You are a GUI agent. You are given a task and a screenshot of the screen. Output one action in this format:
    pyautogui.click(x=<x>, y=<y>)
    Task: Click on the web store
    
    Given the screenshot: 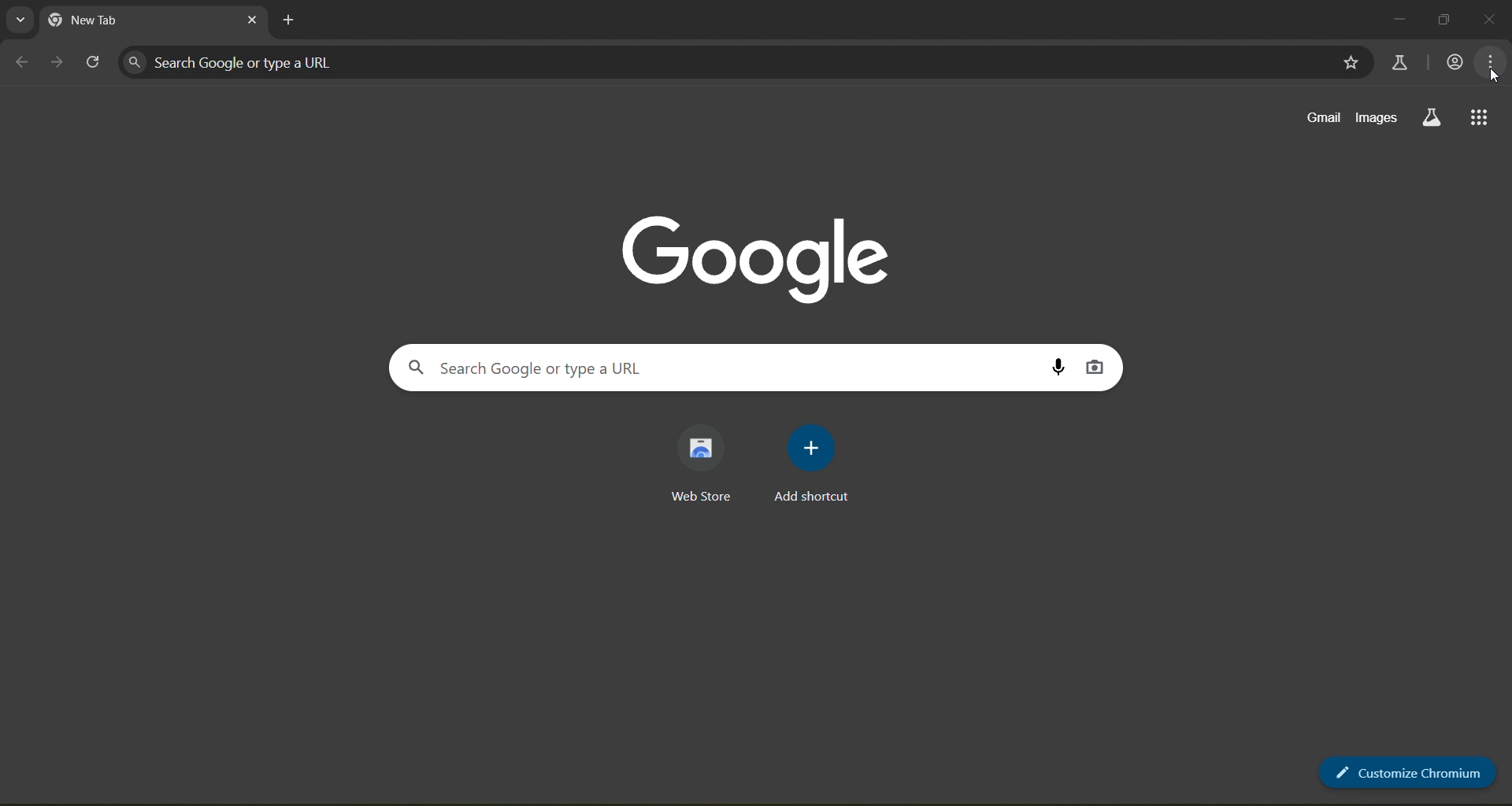 What is the action you would take?
    pyautogui.click(x=706, y=464)
    